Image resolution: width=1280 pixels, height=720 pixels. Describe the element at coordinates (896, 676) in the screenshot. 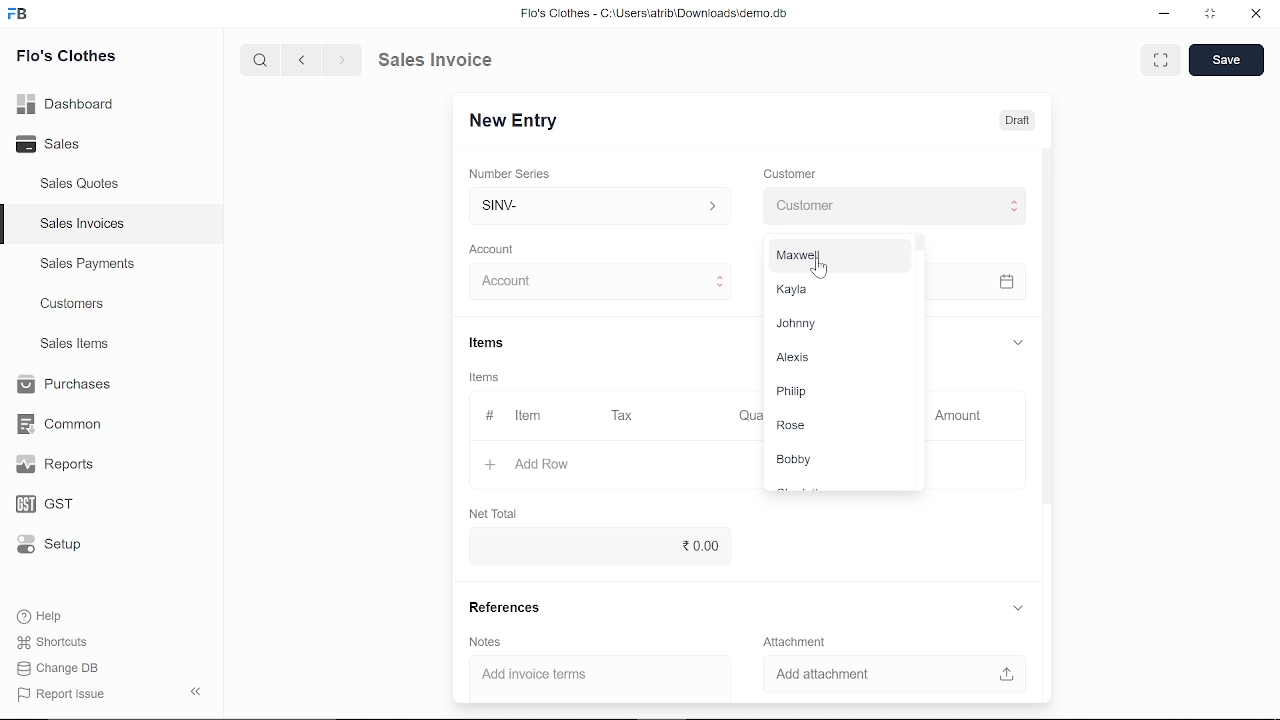

I see `Add attachment` at that location.